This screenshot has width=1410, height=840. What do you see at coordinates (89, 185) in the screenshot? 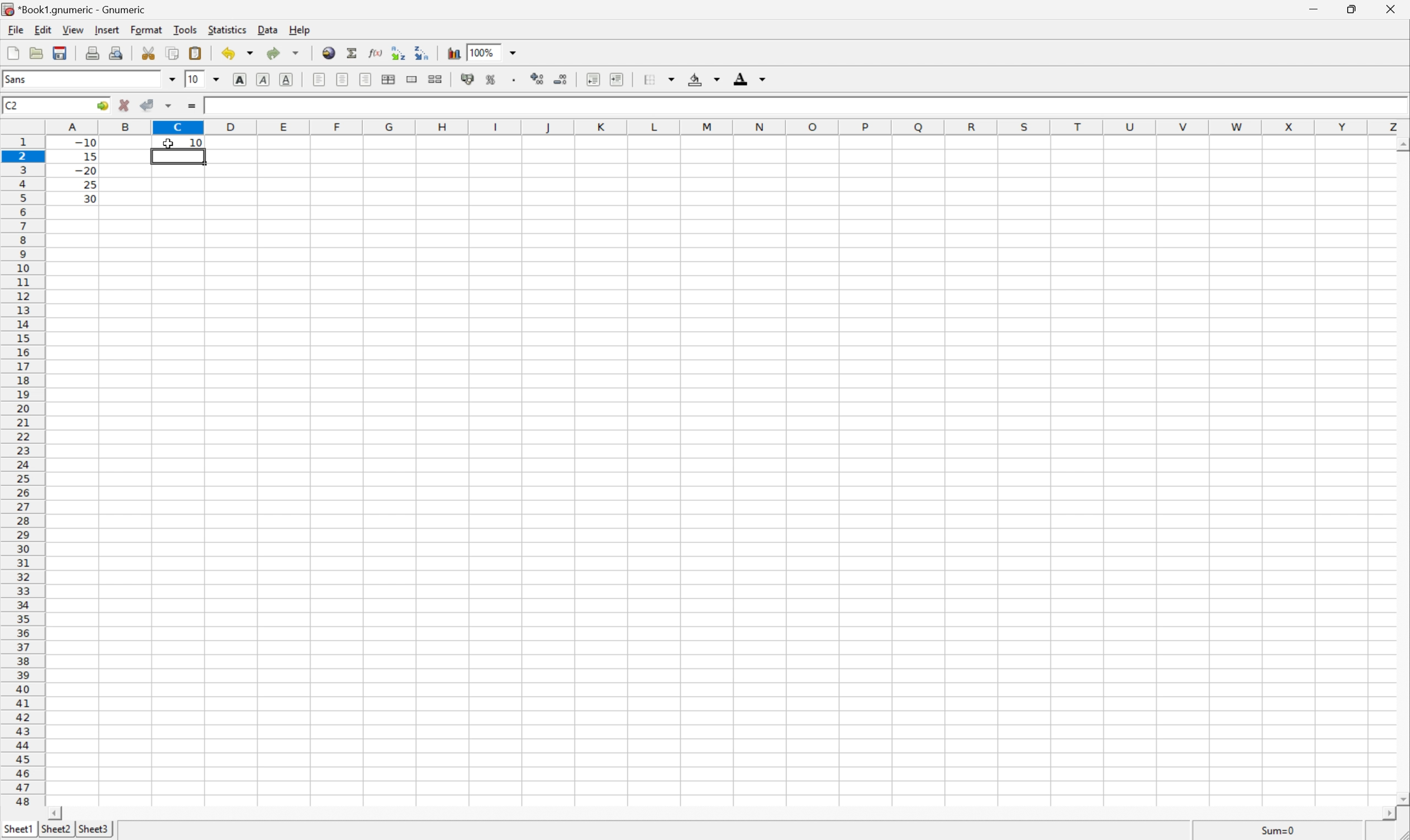
I see `25` at bounding box center [89, 185].